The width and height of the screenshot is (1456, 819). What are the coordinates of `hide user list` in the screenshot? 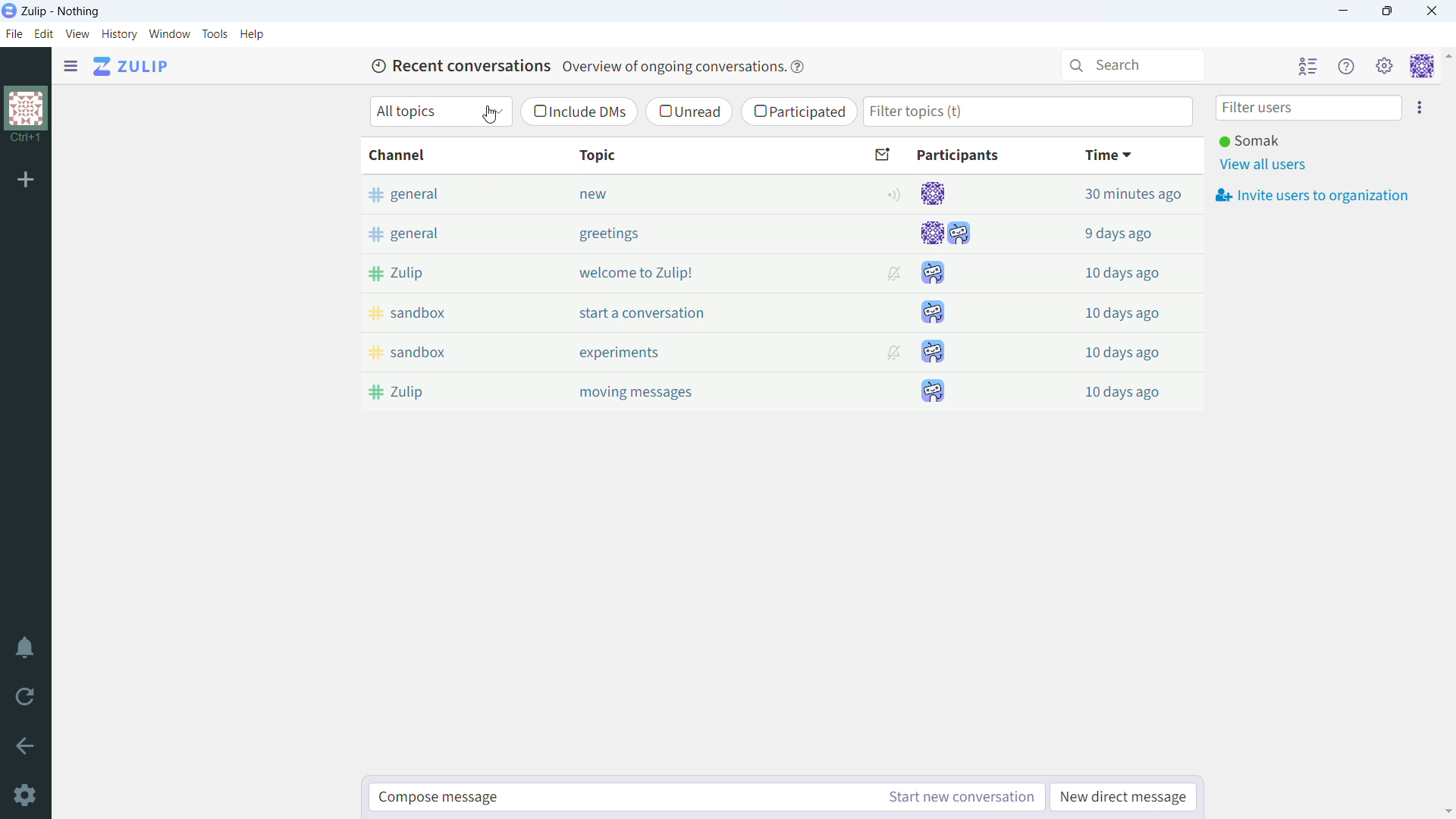 It's located at (1308, 65).